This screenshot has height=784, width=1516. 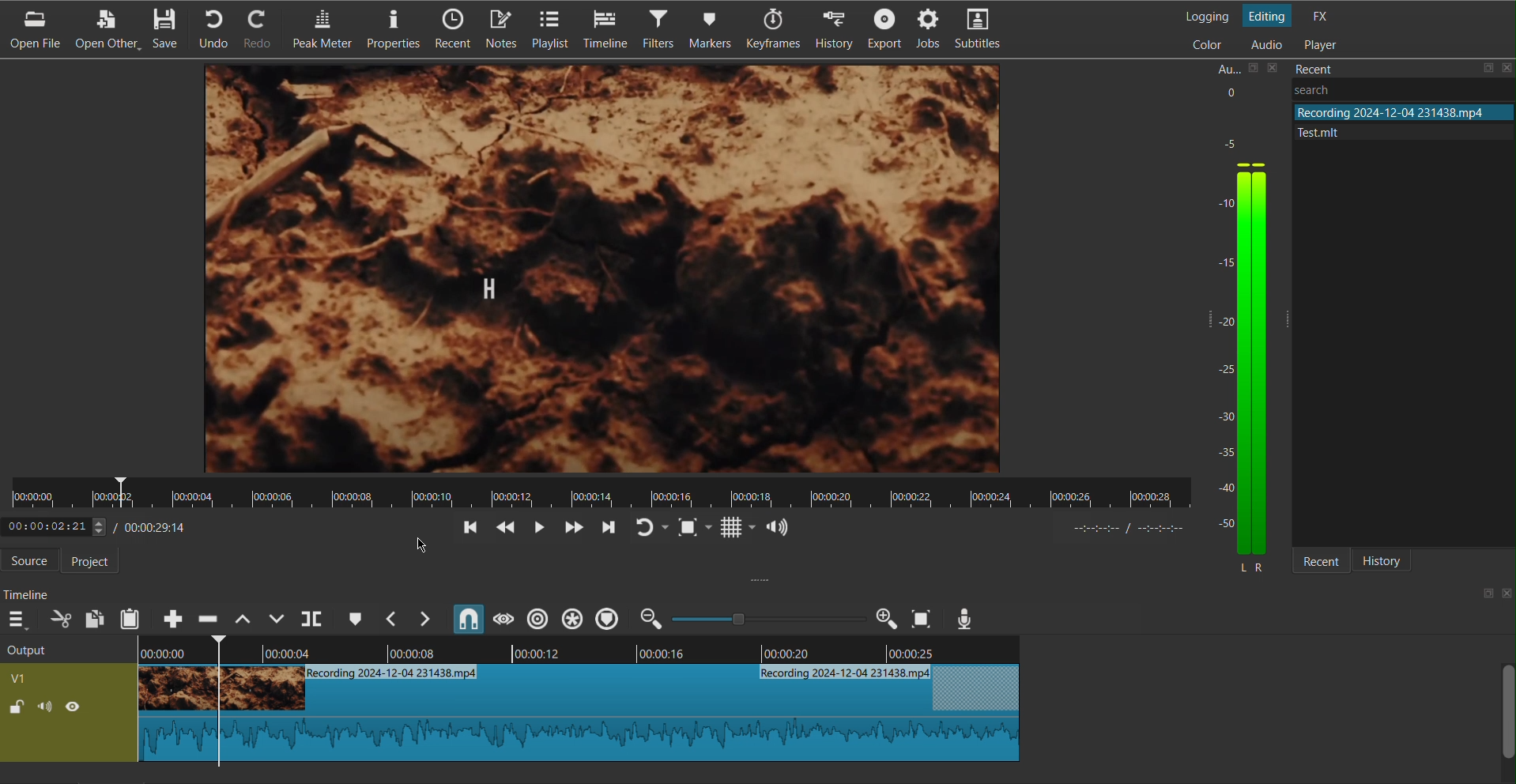 What do you see at coordinates (312, 618) in the screenshot?
I see `Split at Playhead` at bounding box center [312, 618].